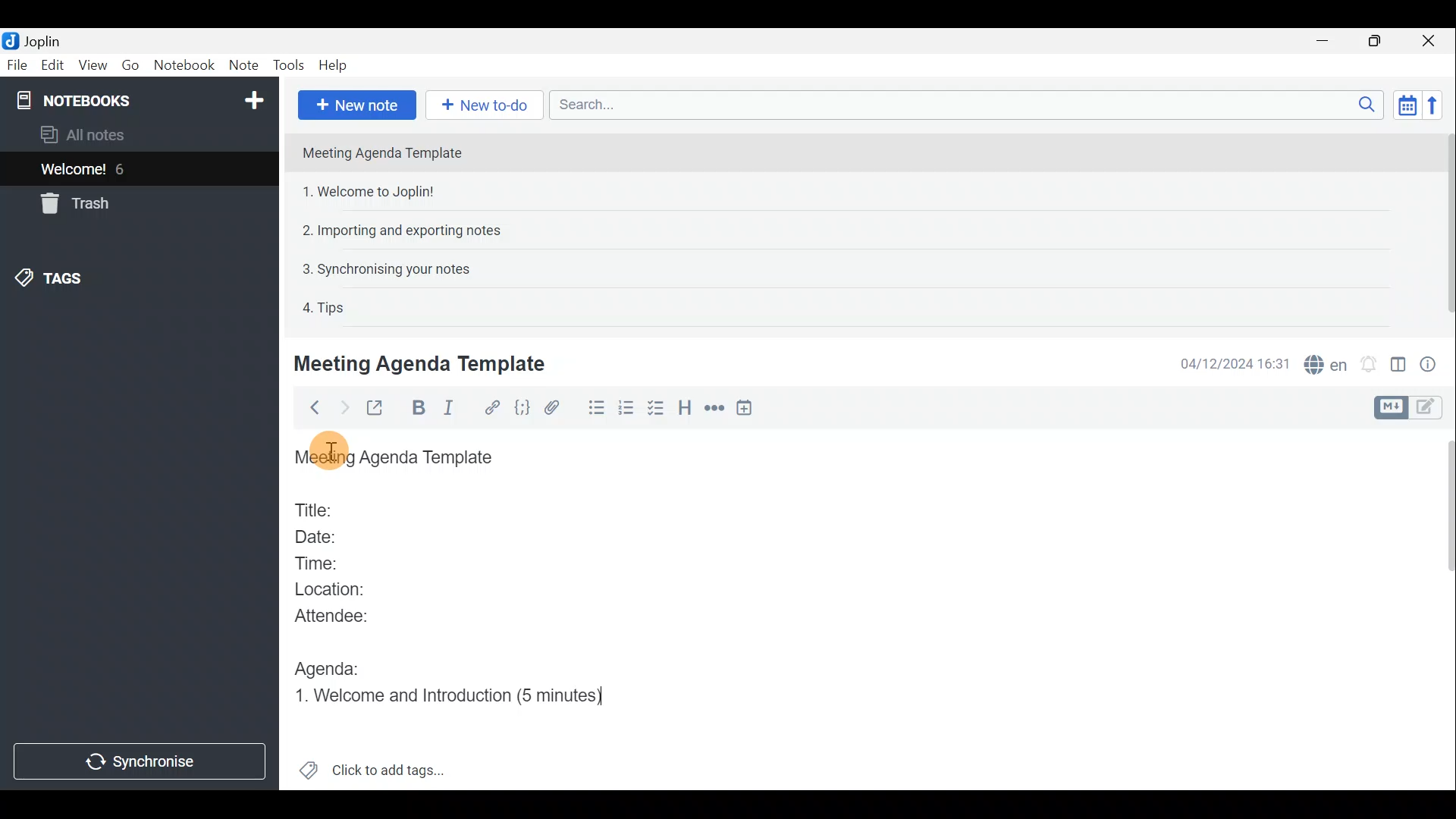 The height and width of the screenshot is (819, 1456). What do you see at coordinates (716, 409) in the screenshot?
I see `Horizontal rule` at bounding box center [716, 409].